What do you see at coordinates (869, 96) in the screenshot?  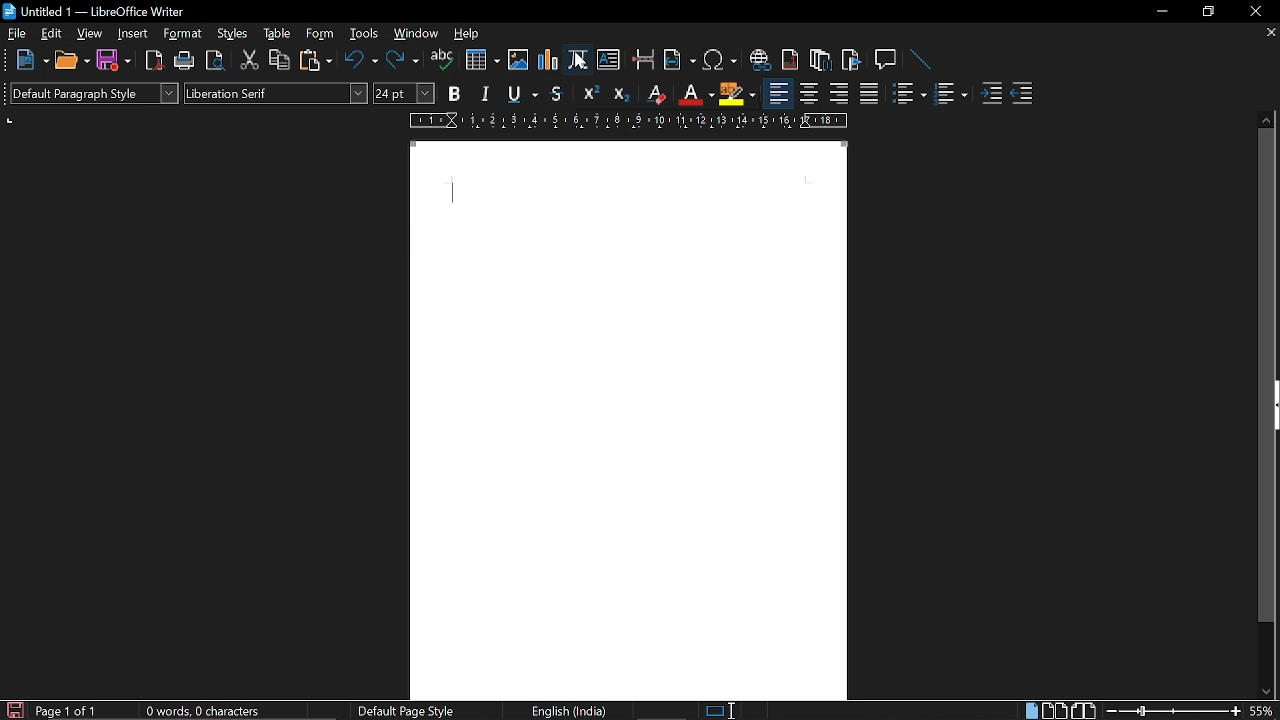 I see `justified` at bounding box center [869, 96].